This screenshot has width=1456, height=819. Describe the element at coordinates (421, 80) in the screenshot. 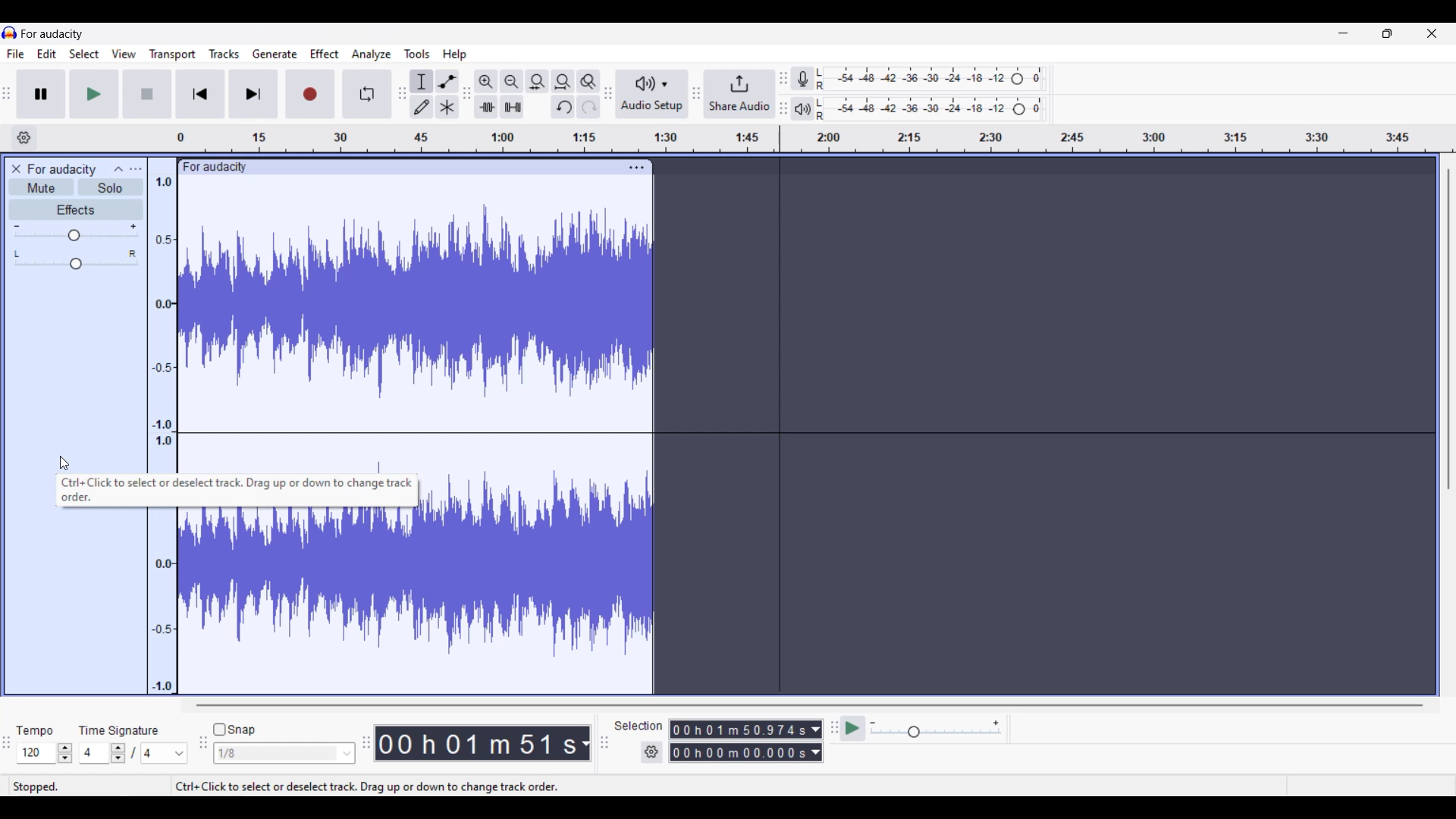

I see `Selection tool` at that location.